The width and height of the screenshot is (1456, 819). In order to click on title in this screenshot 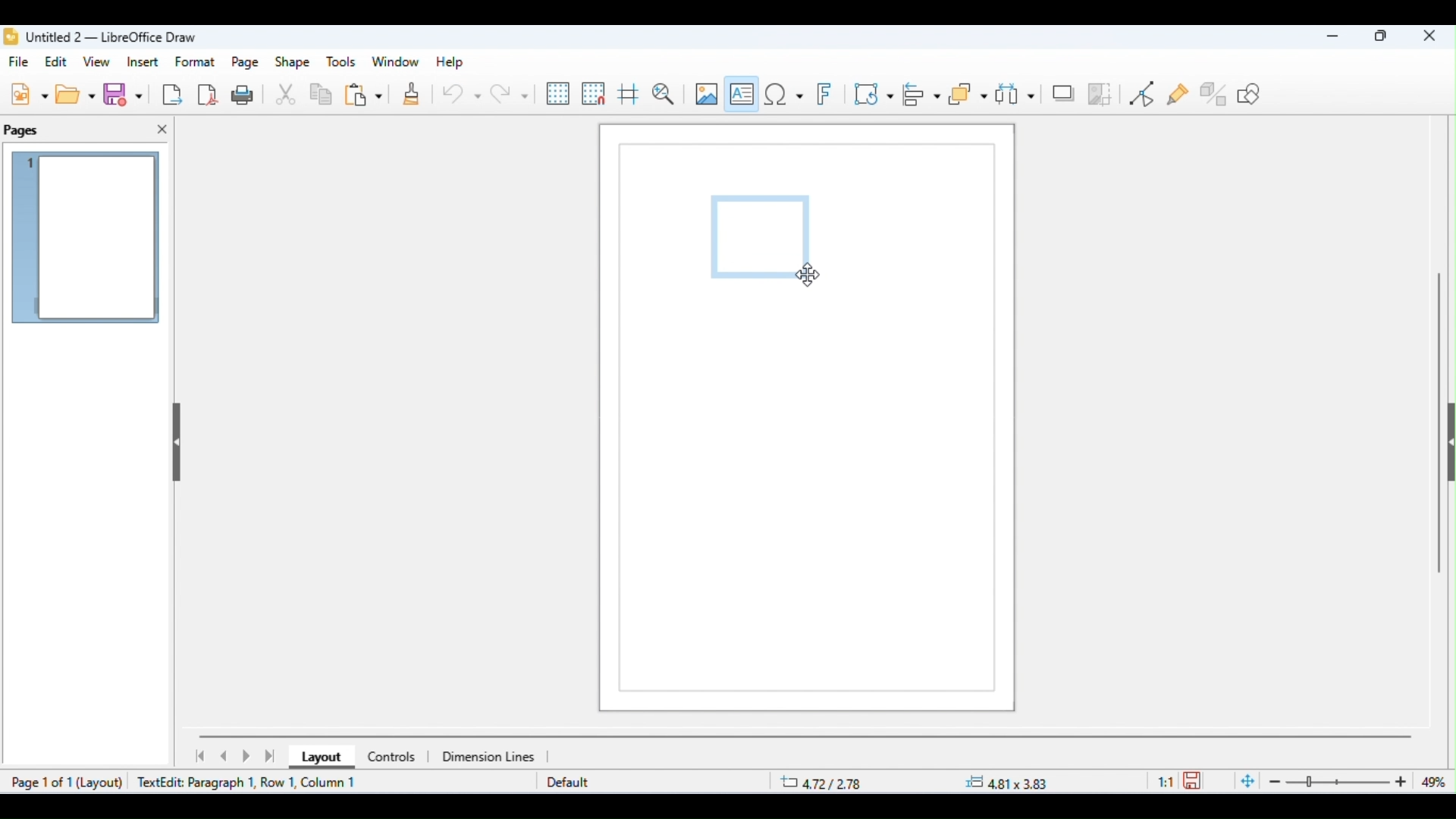, I will do `click(101, 37)`.